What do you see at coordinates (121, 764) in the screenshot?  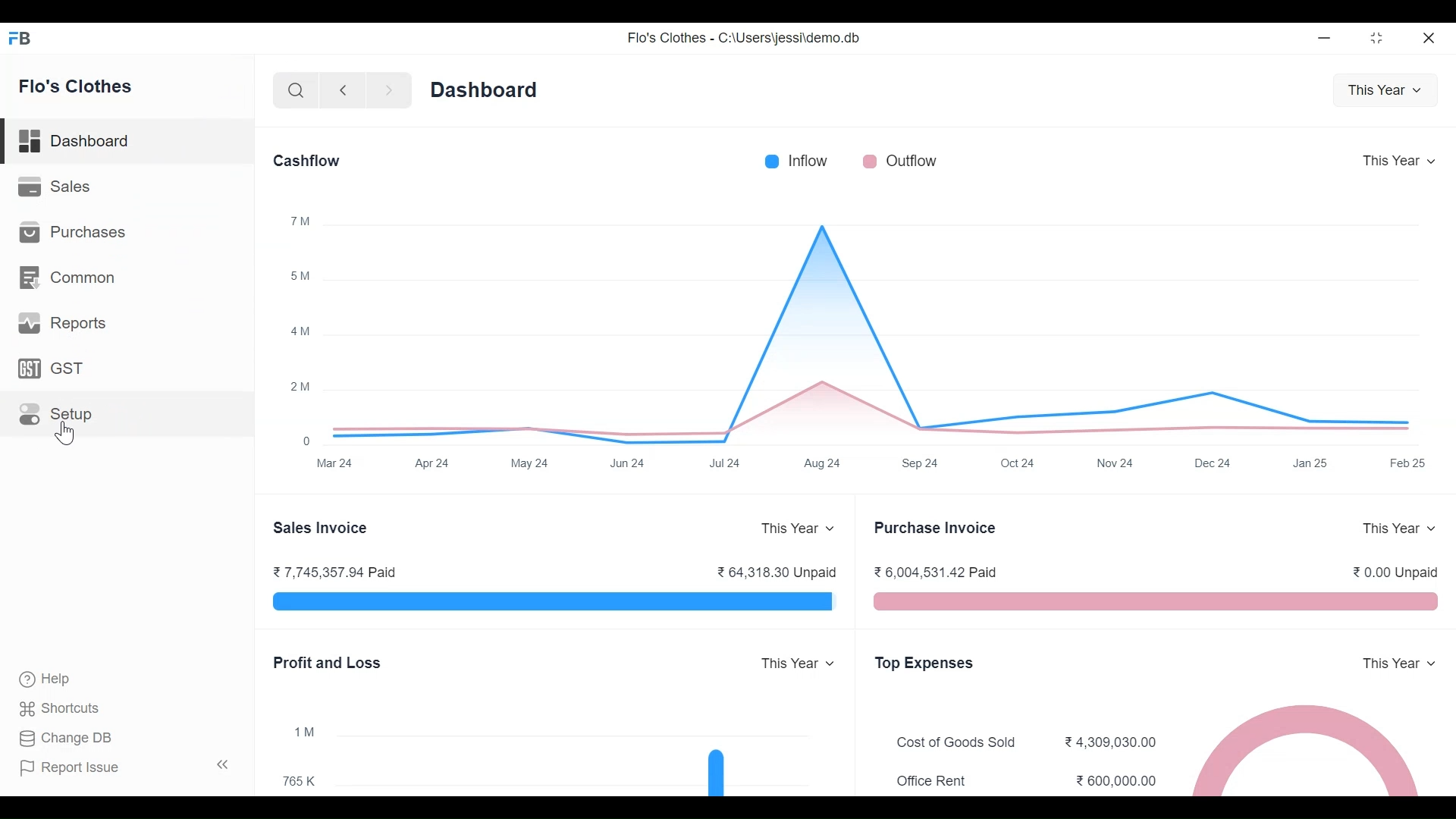 I see `Report Issue` at bounding box center [121, 764].